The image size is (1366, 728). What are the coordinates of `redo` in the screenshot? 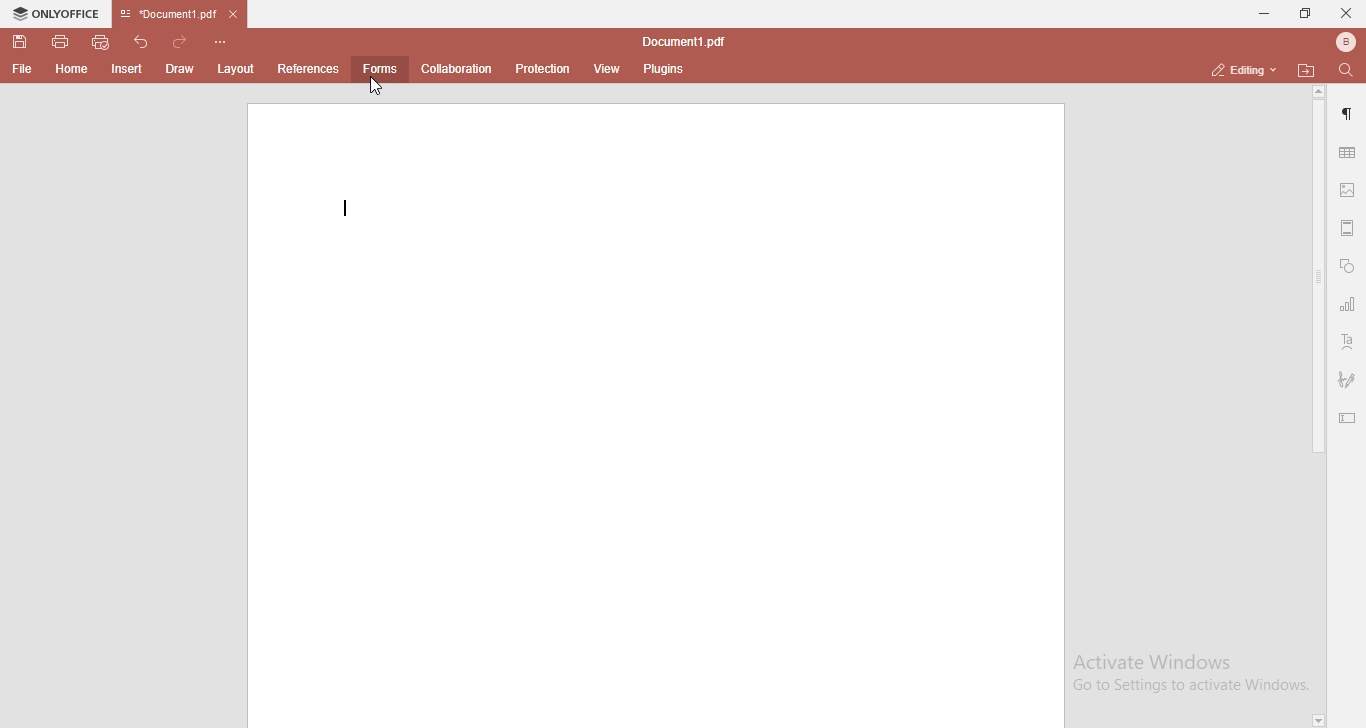 It's located at (184, 38).